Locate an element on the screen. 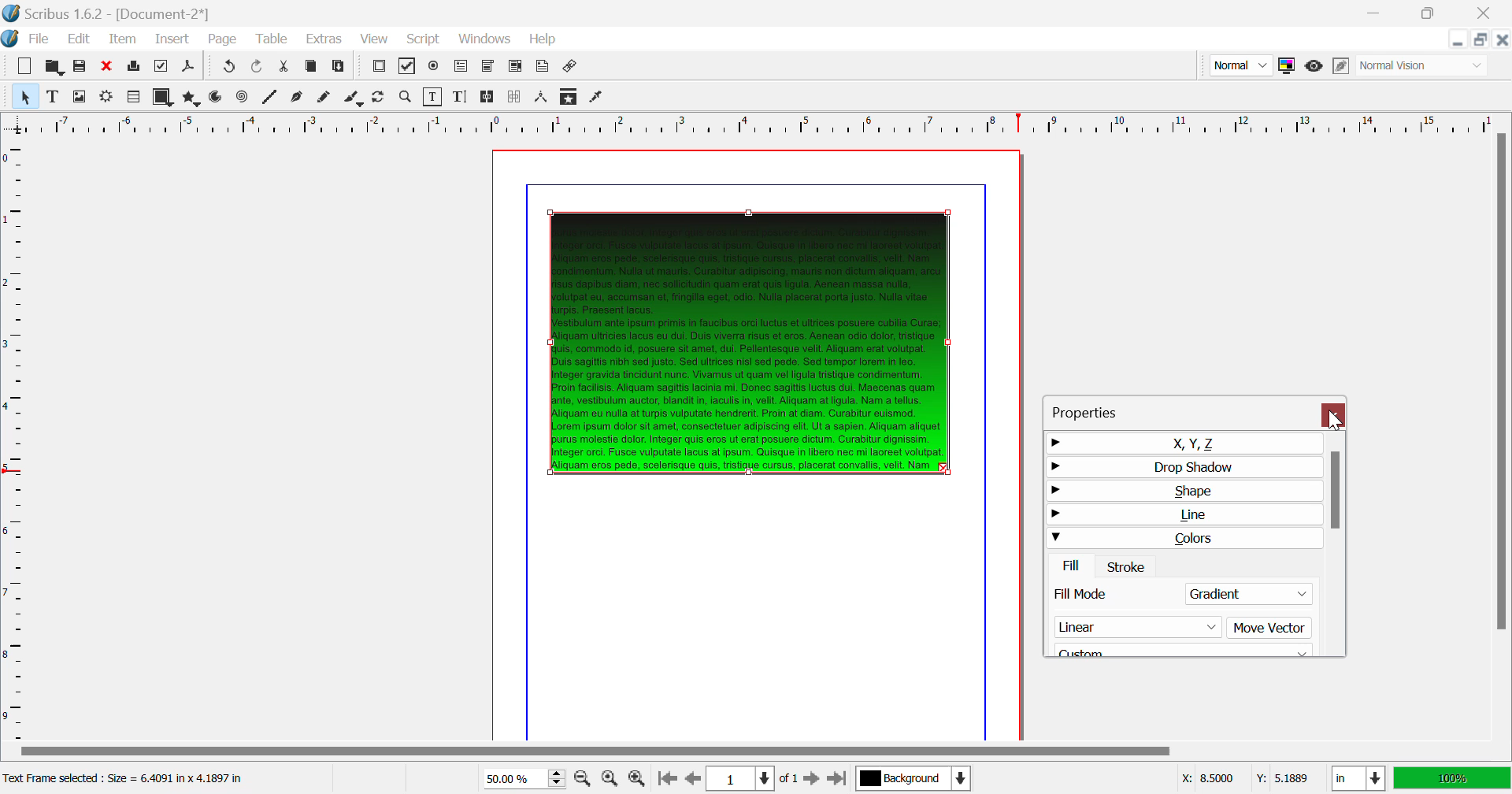 The image size is (1512, 794). Close is located at coordinates (1336, 415).